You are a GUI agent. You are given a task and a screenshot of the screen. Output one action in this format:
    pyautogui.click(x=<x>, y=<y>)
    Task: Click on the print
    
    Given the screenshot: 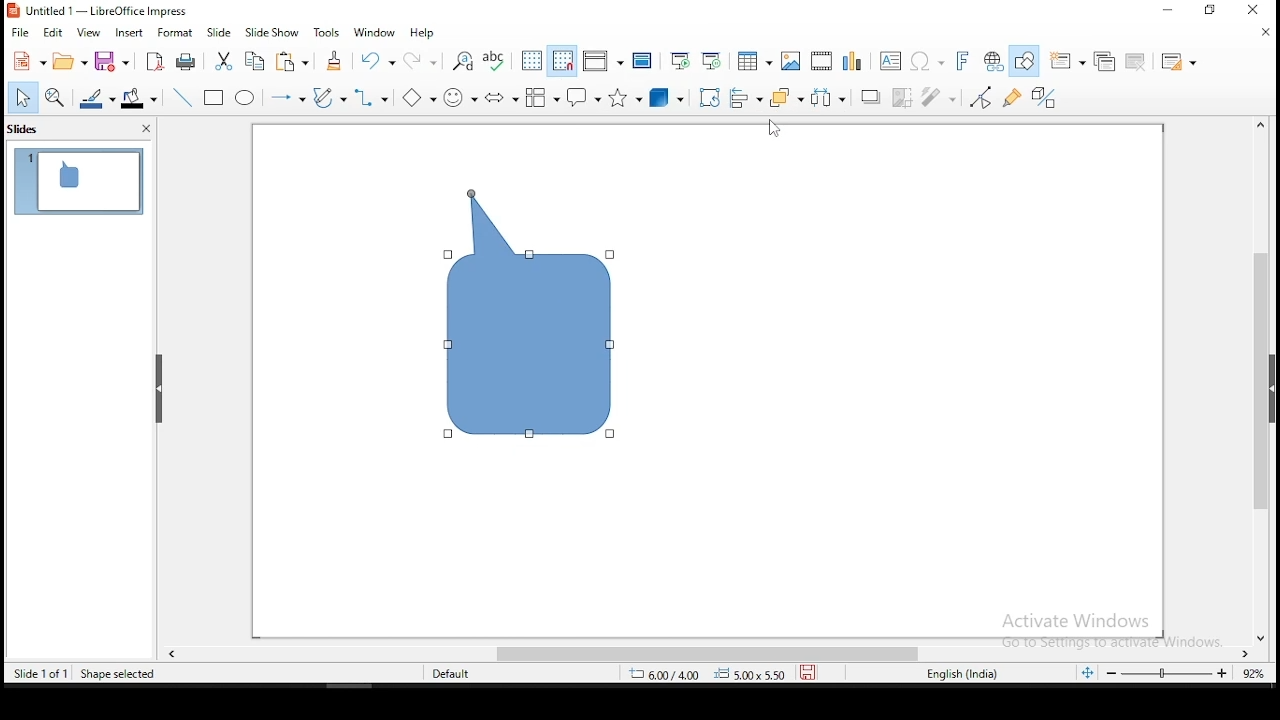 What is the action you would take?
    pyautogui.click(x=183, y=62)
    